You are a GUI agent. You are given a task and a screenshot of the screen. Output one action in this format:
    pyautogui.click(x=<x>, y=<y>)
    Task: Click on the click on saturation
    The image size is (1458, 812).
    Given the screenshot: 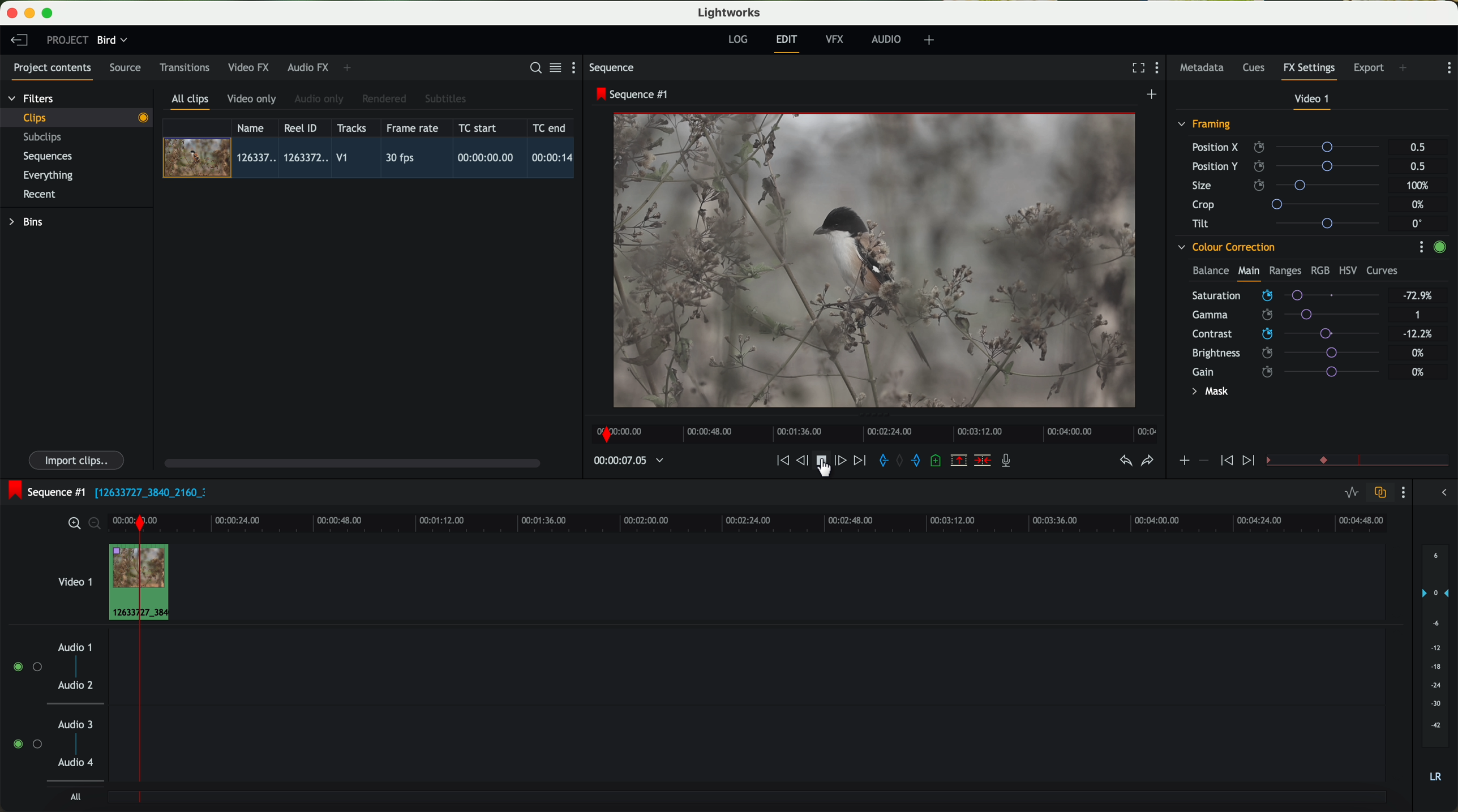 What is the action you would take?
    pyautogui.click(x=1280, y=315)
    